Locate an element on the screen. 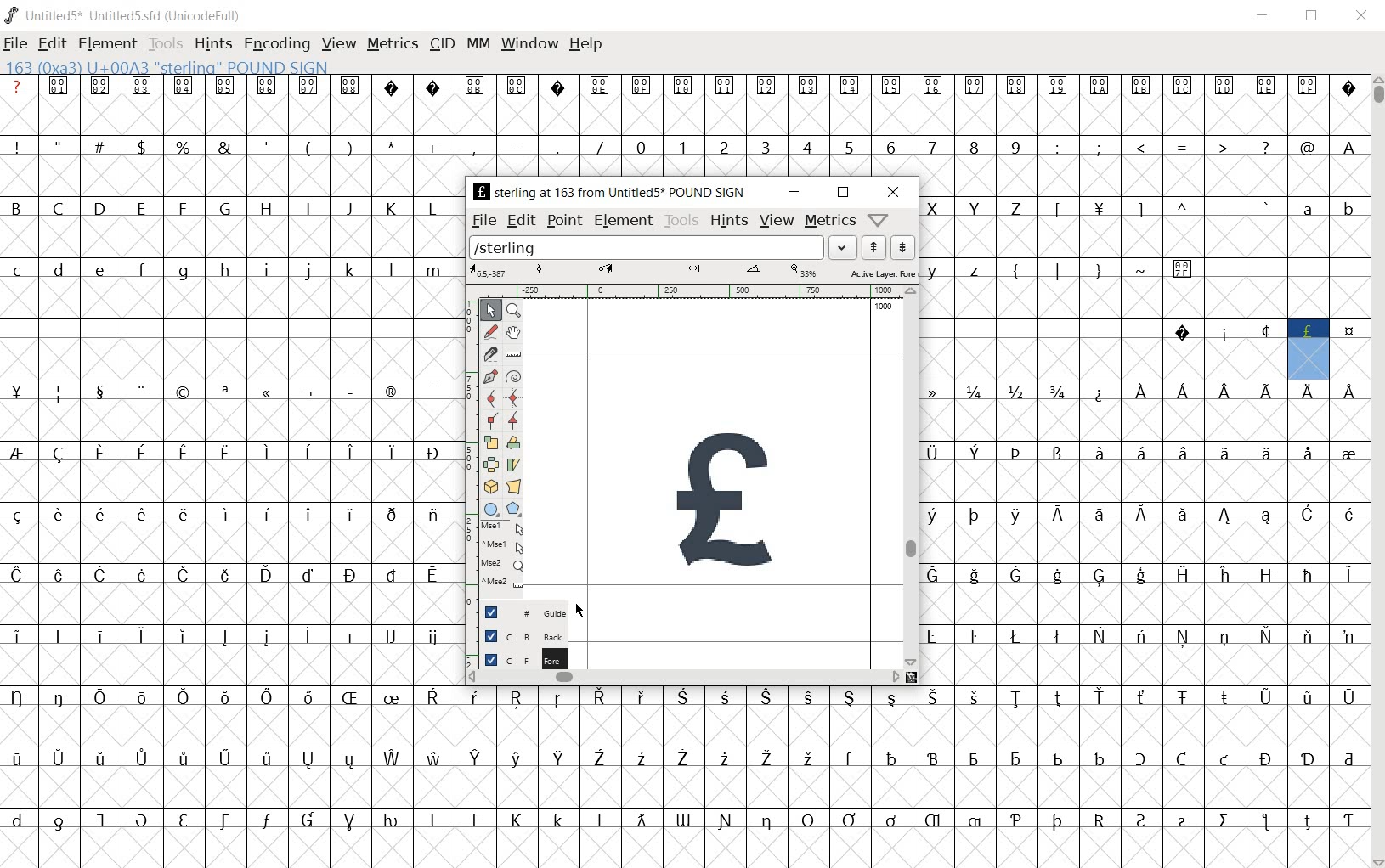  . is located at coordinates (557, 146).